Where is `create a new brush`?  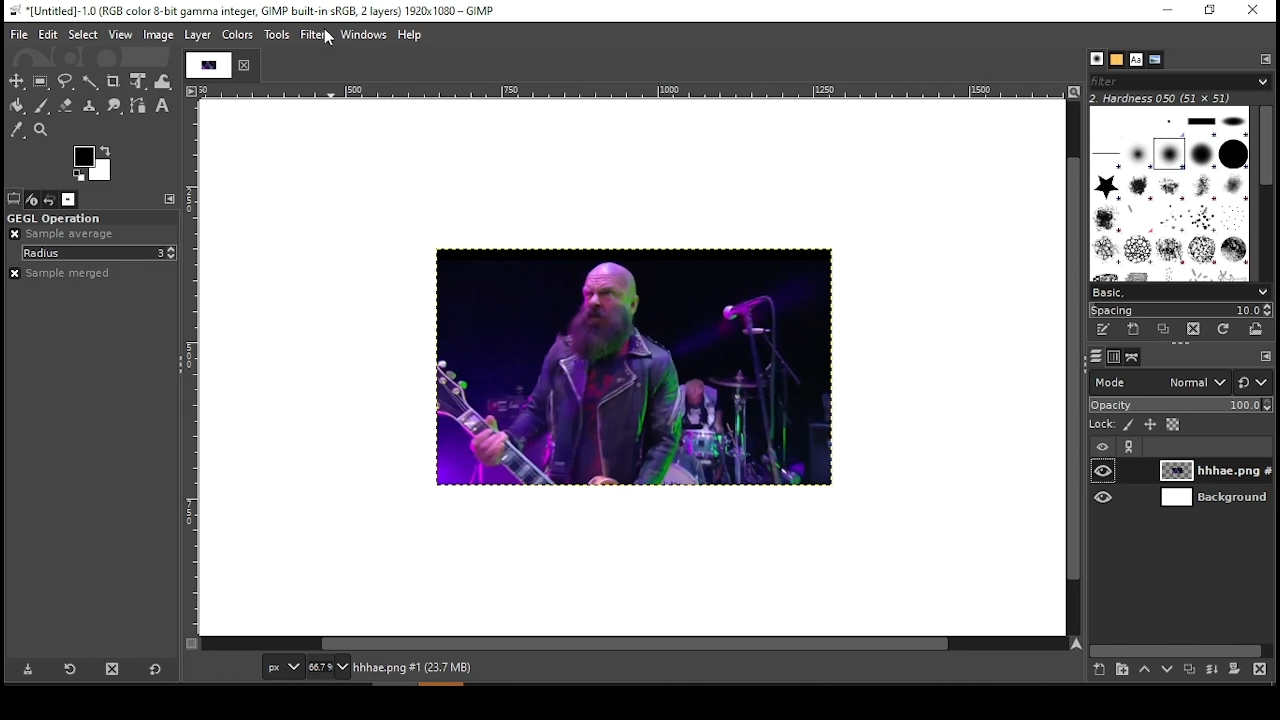 create a new brush is located at coordinates (1137, 331).